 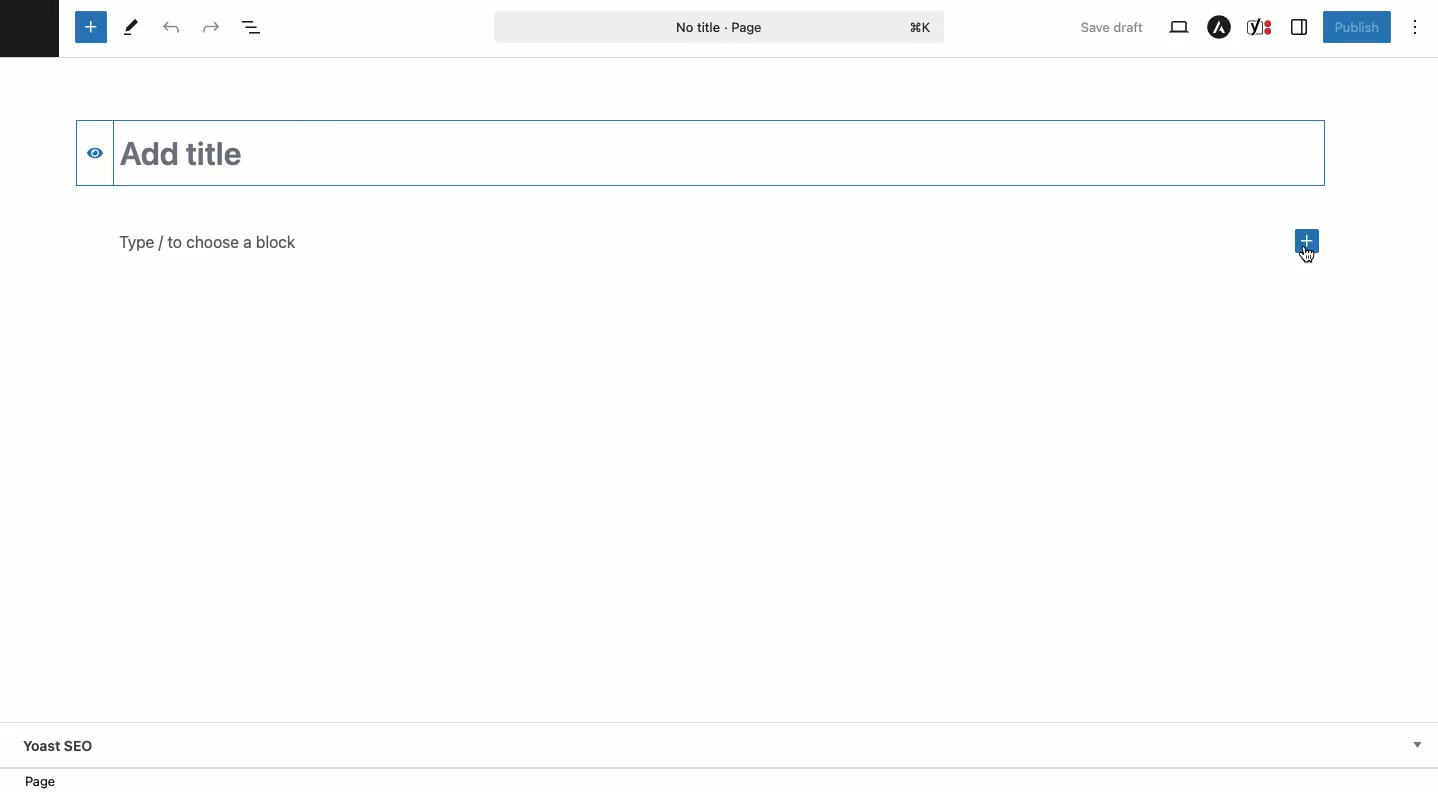 I want to click on Add block, so click(x=91, y=28).